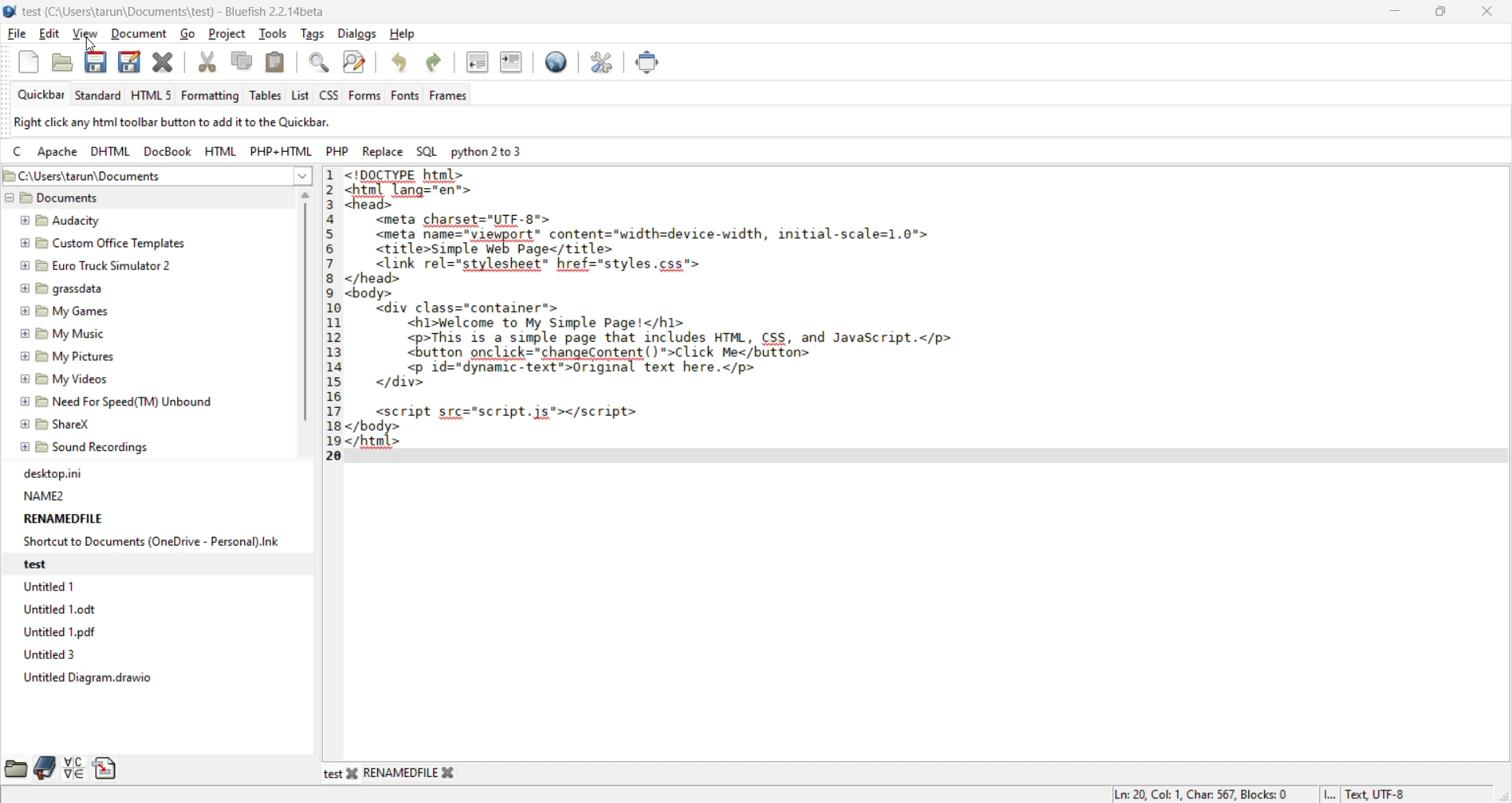  What do you see at coordinates (428, 151) in the screenshot?
I see `sql` at bounding box center [428, 151].